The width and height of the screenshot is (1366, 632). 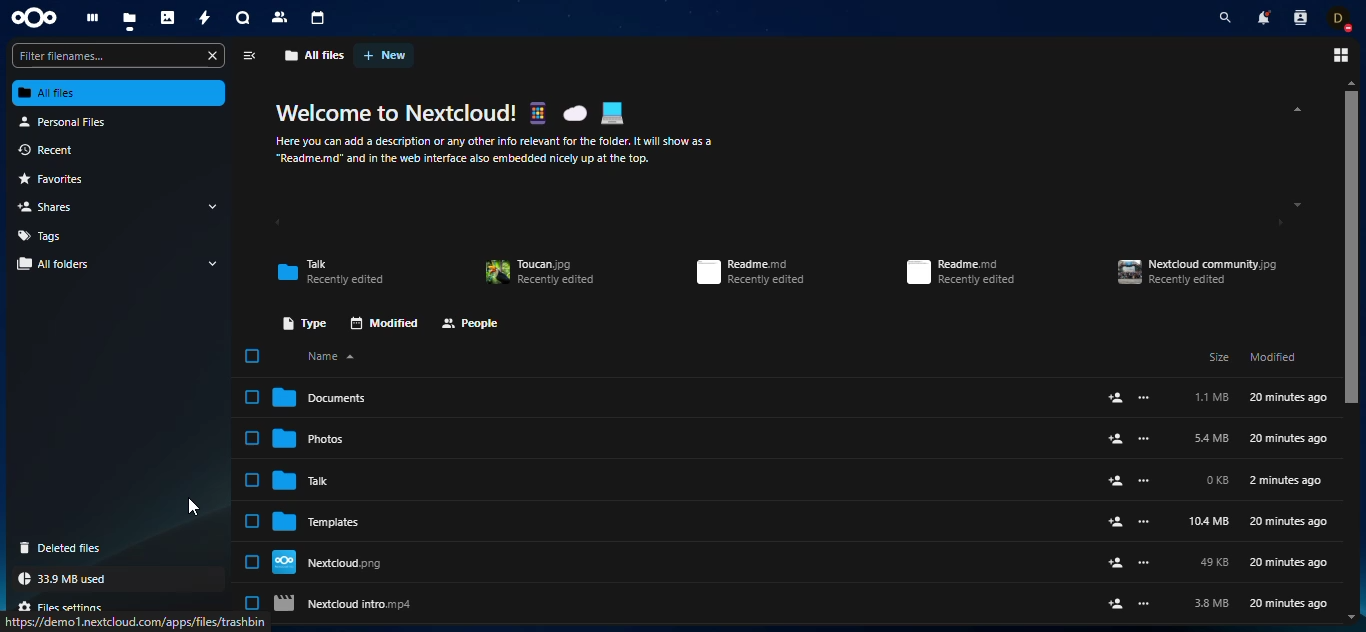 What do you see at coordinates (1128, 602) in the screenshot?
I see `Add` at bounding box center [1128, 602].